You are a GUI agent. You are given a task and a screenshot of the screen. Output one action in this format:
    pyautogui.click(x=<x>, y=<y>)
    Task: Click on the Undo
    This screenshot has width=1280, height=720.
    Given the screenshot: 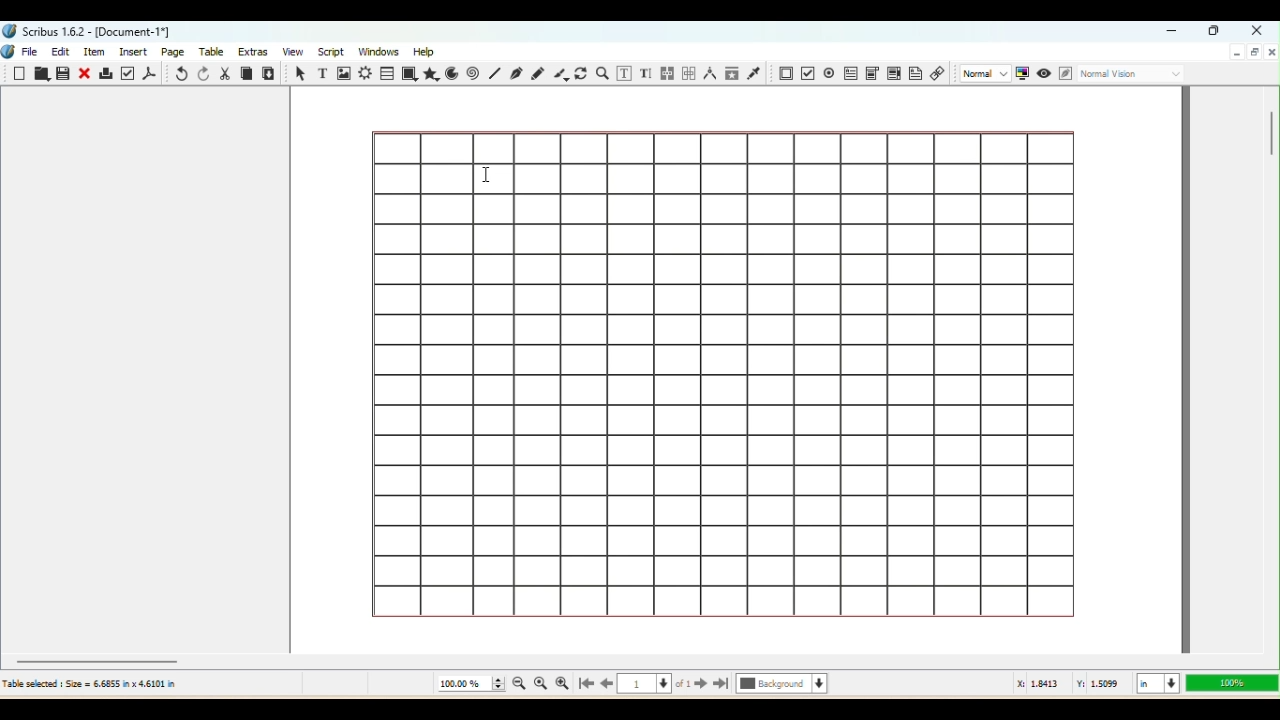 What is the action you would take?
    pyautogui.click(x=179, y=74)
    